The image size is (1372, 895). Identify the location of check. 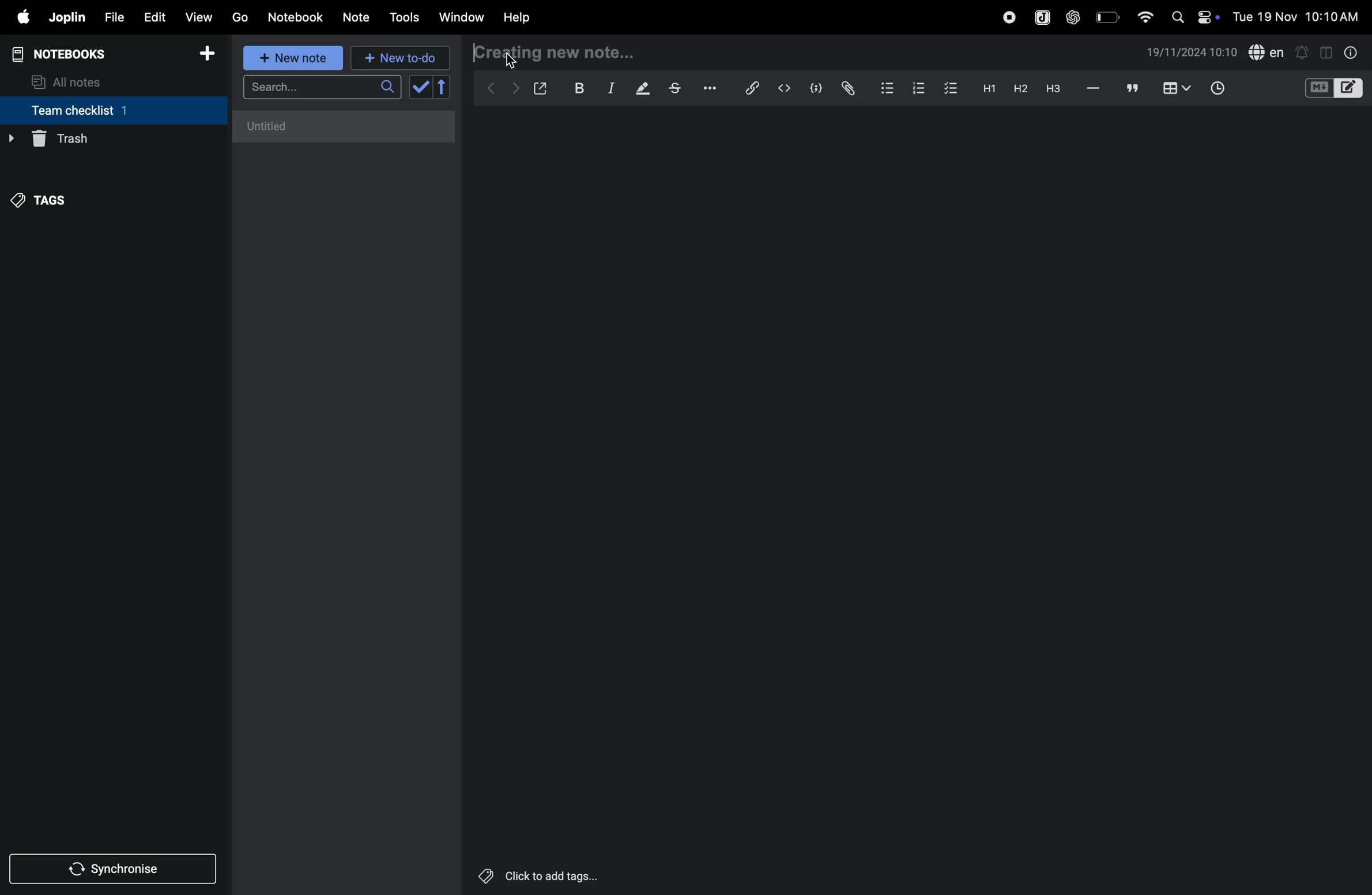
(431, 88).